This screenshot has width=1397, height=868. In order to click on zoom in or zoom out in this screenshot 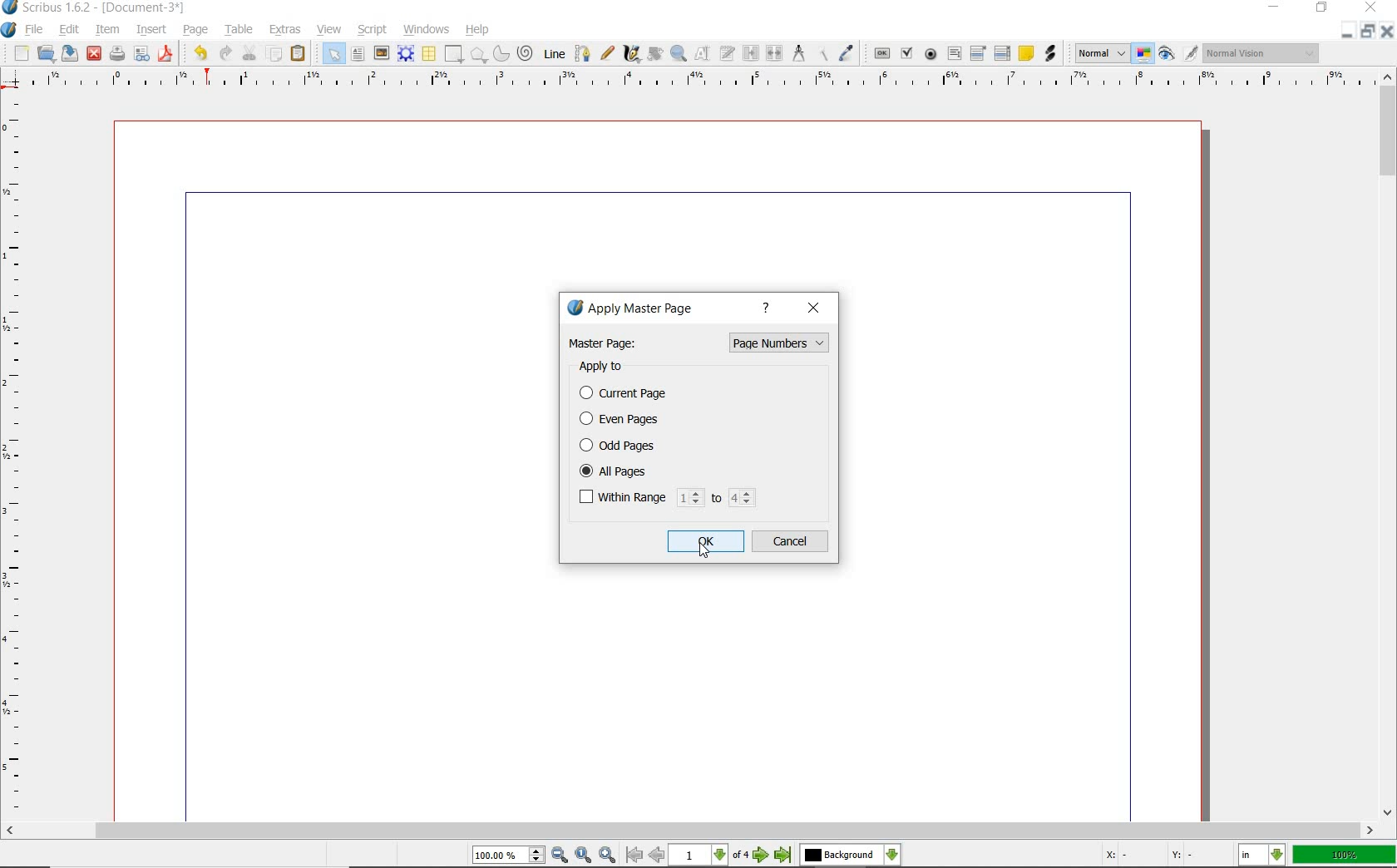, I will do `click(678, 54)`.